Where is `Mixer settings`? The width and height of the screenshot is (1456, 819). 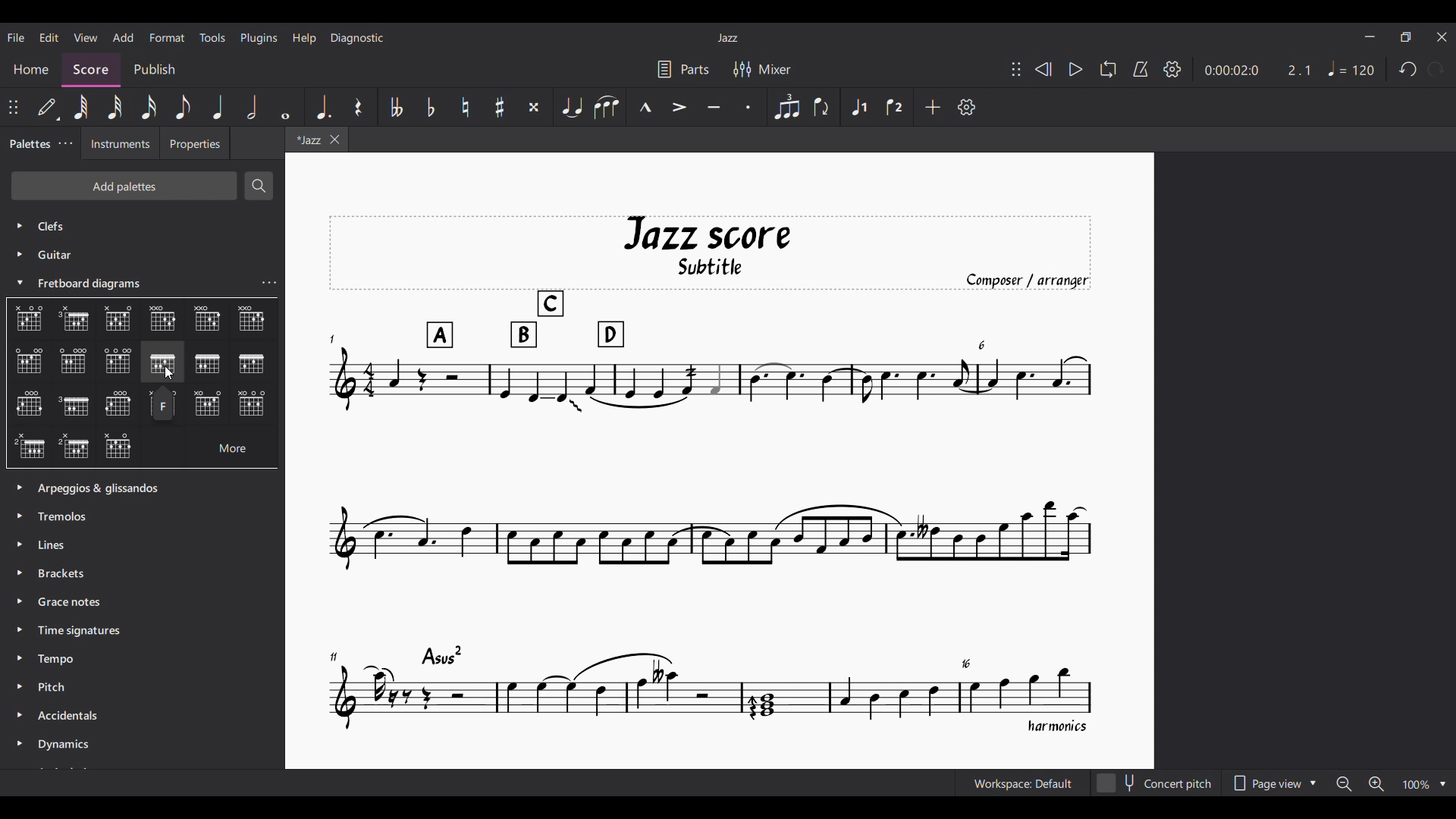
Mixer settings is located at coordinates (762, 69).